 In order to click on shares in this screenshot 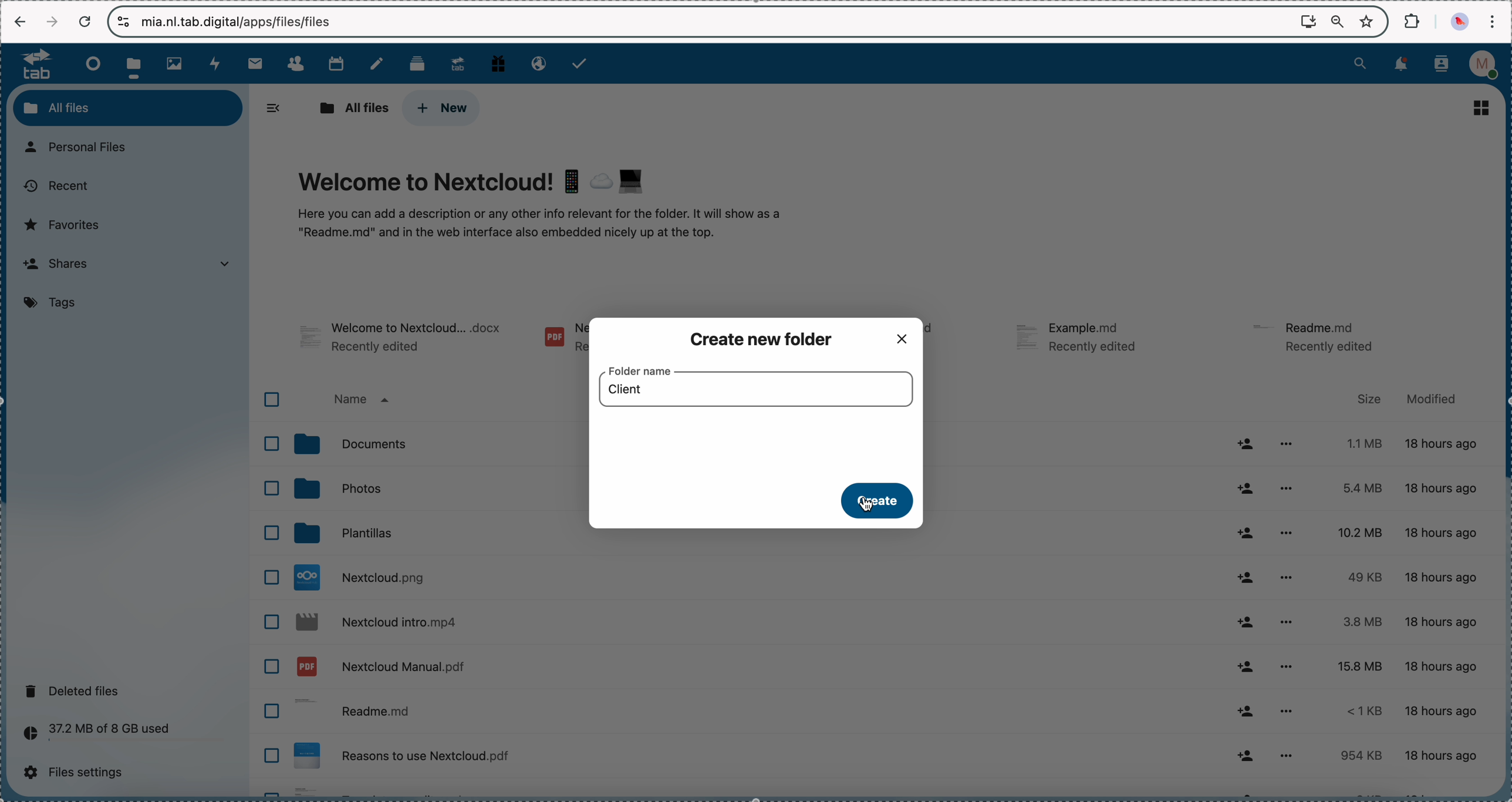, I will do `click(125, 266)`.